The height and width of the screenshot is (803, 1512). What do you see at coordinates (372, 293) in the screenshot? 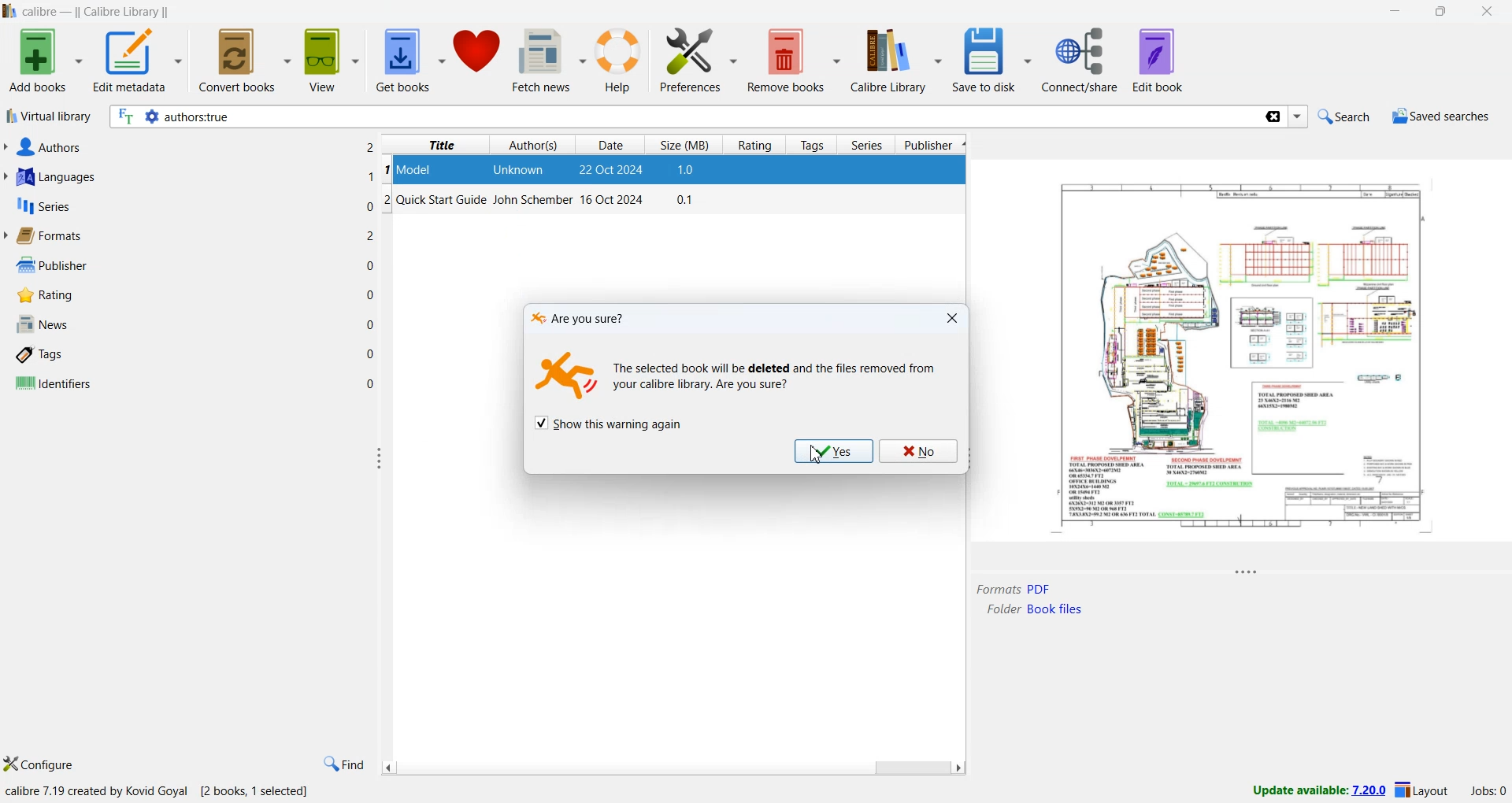
I see `0` at bounding box center [372, 293].